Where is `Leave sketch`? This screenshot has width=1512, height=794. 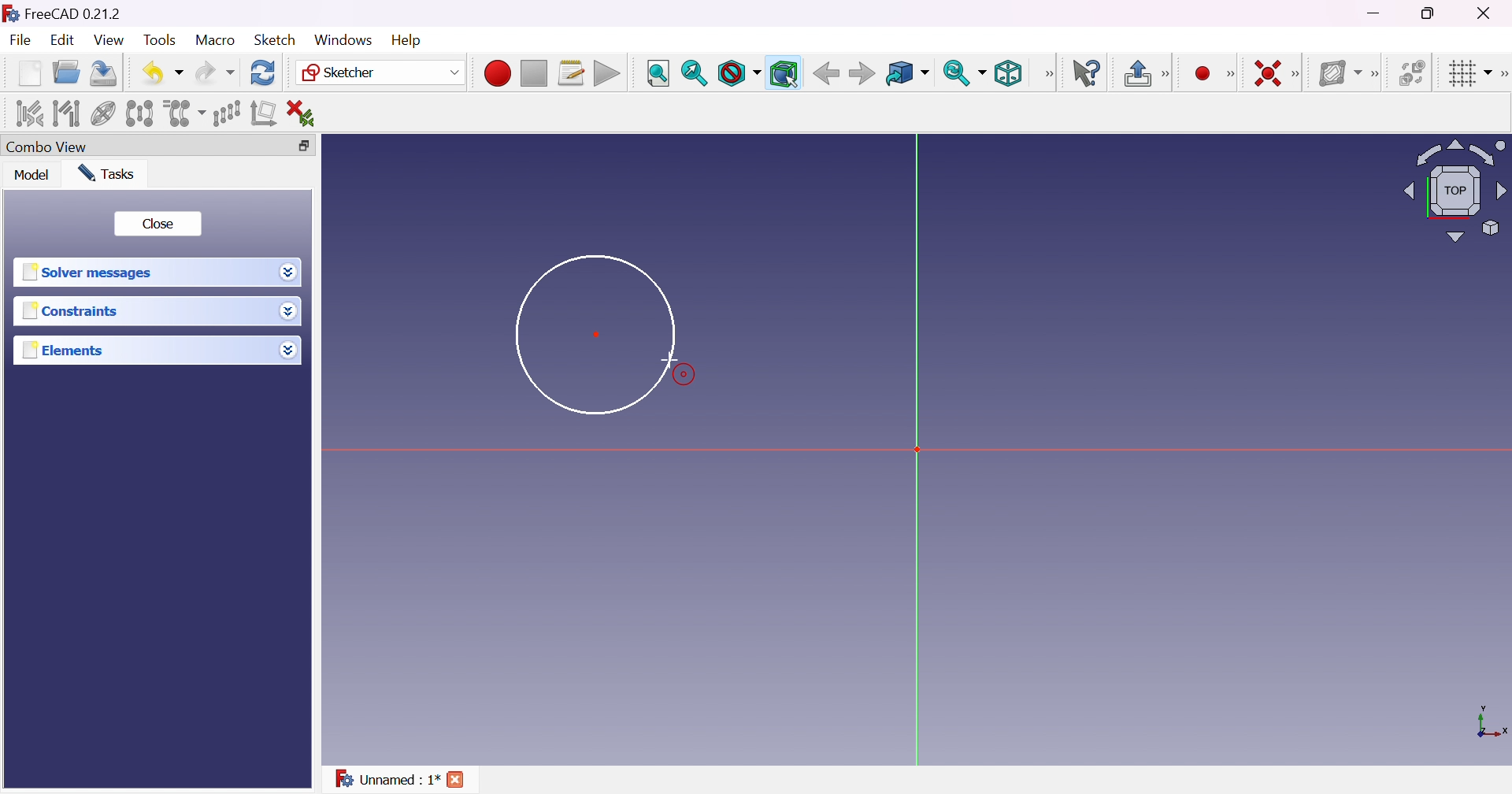
Leave sketch is located at coordinates (1136, 72).